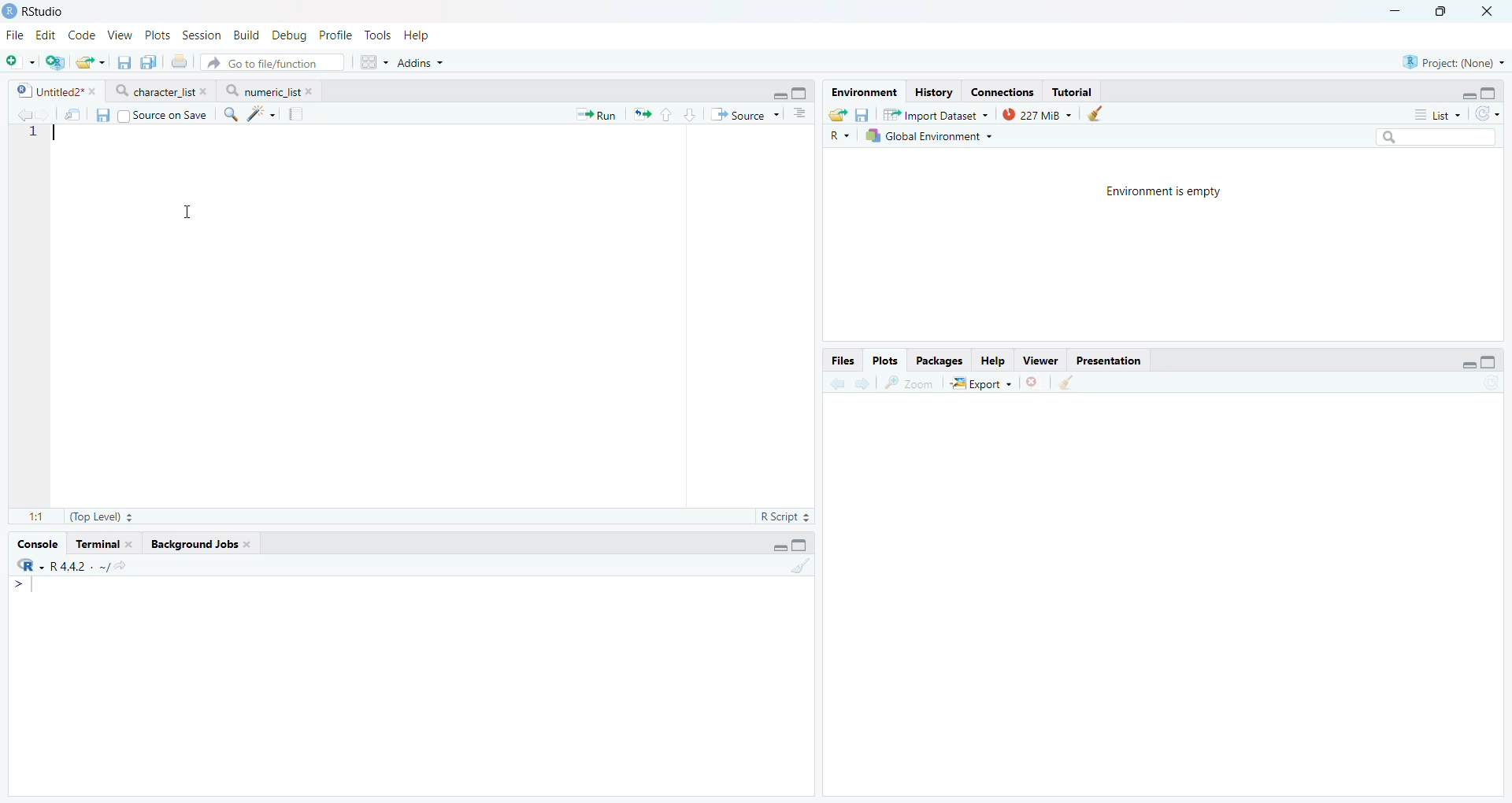 The height and width of the screenshot is (803, 1512). Describe the element at coordinates (32, 515) in the screenshot. I see `1:1` at that location.